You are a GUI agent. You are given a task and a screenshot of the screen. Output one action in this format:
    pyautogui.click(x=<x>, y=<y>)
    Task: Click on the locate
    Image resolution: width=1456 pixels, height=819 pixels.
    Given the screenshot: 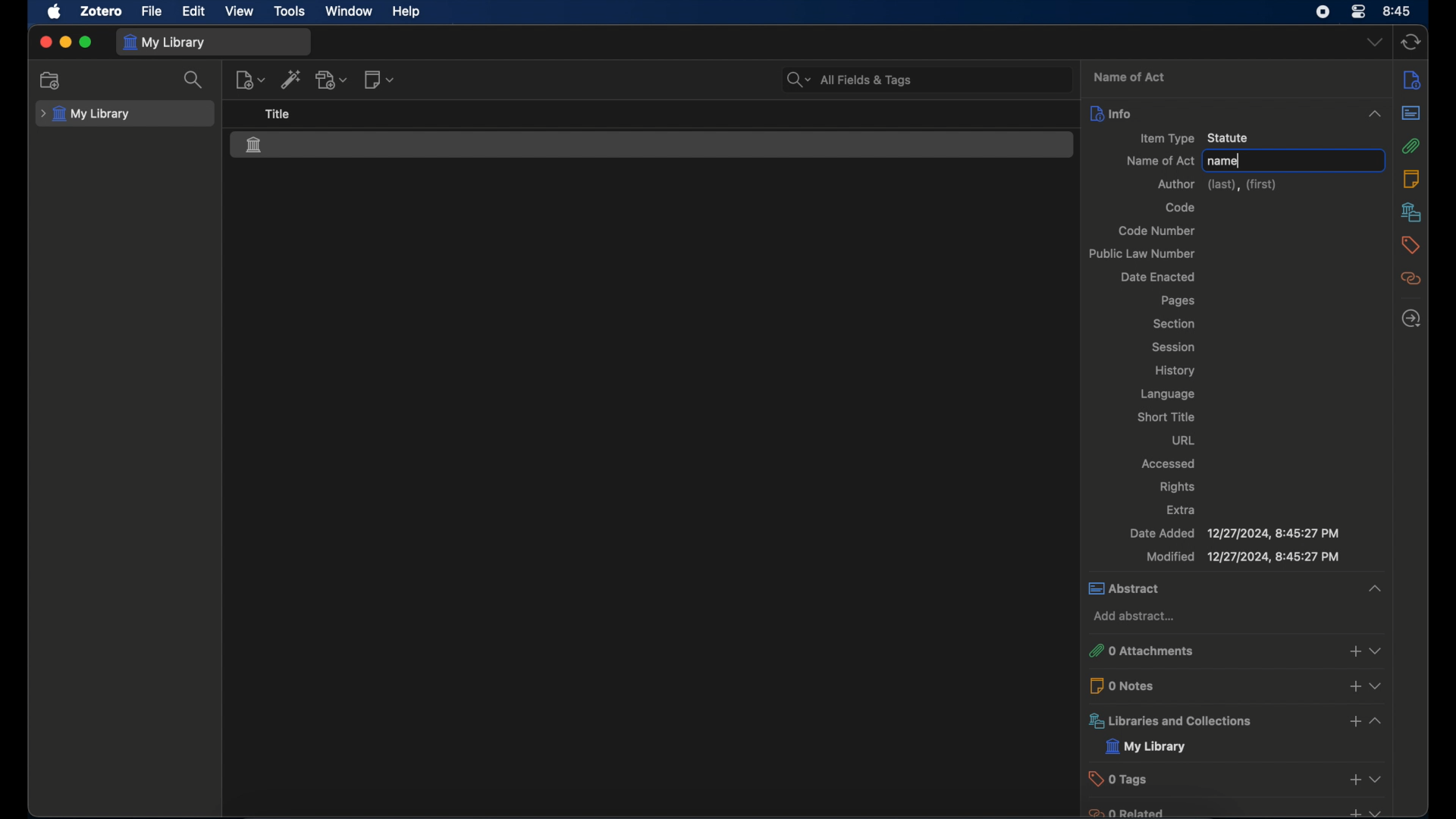 What is the action you would take?
    pyautogui.click(x=1411, y=319)
    